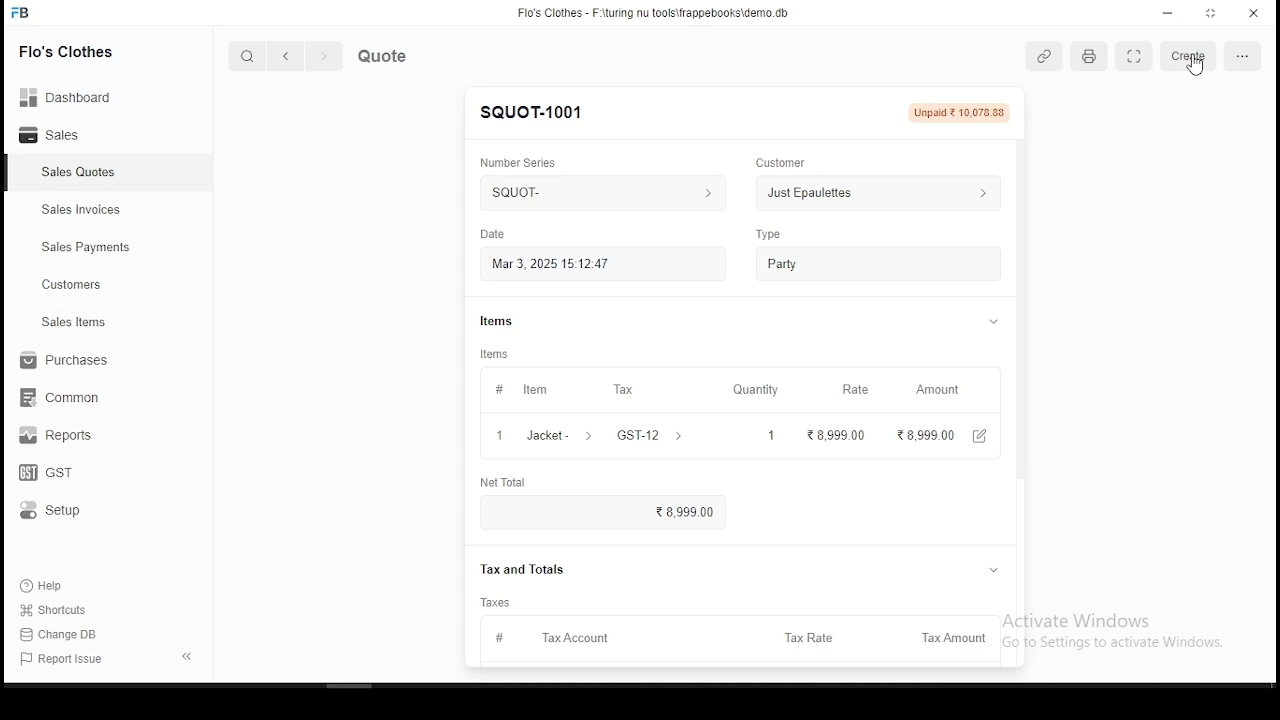 Image resolution: width=1280 pixels, height=720 pixels. I want to click on GST-12 >, so click(653, 435).